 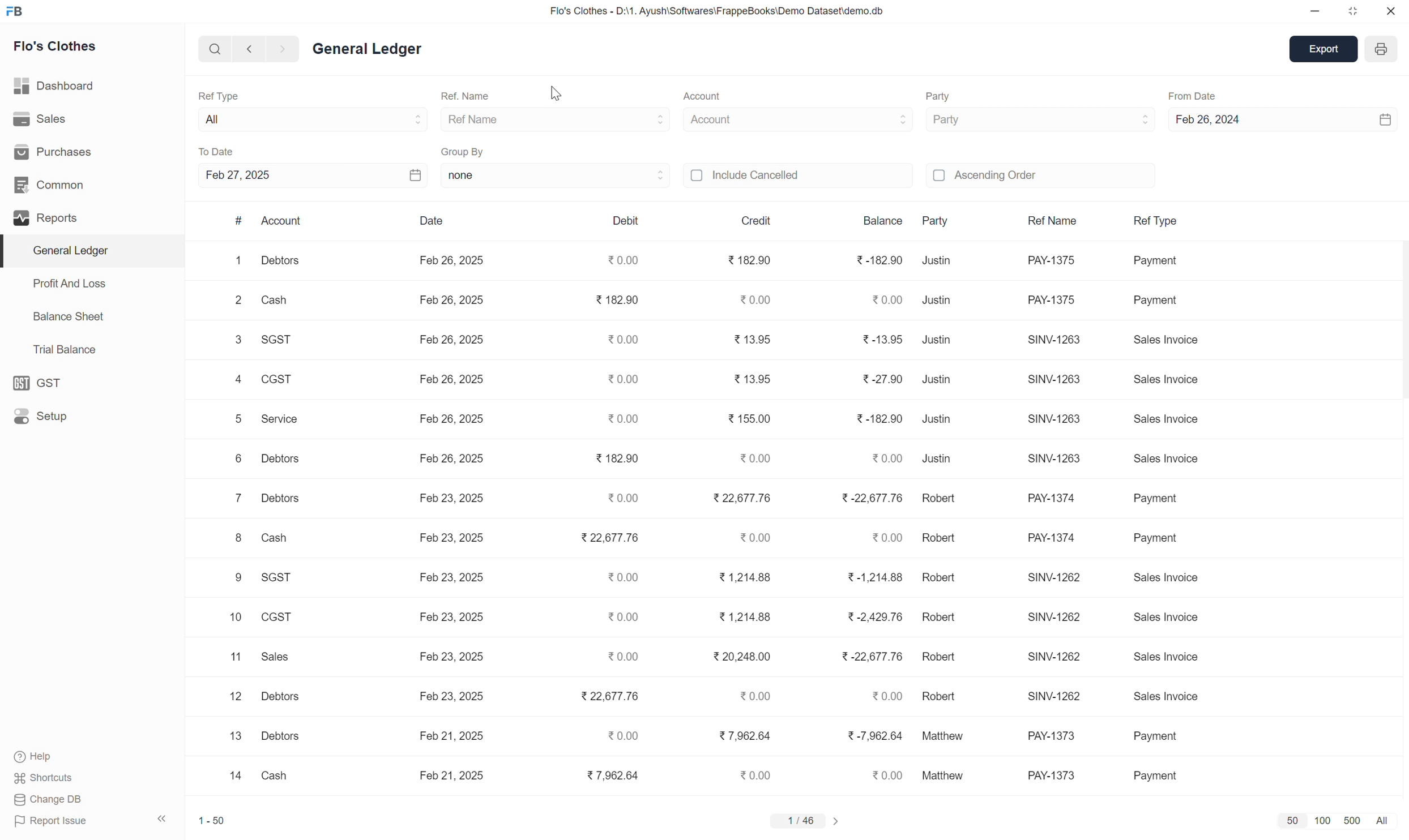 What do you see at coordinates (452, 774) in the screenshot?
I see `feb 26, 2025` at bounding box center [452, 774].